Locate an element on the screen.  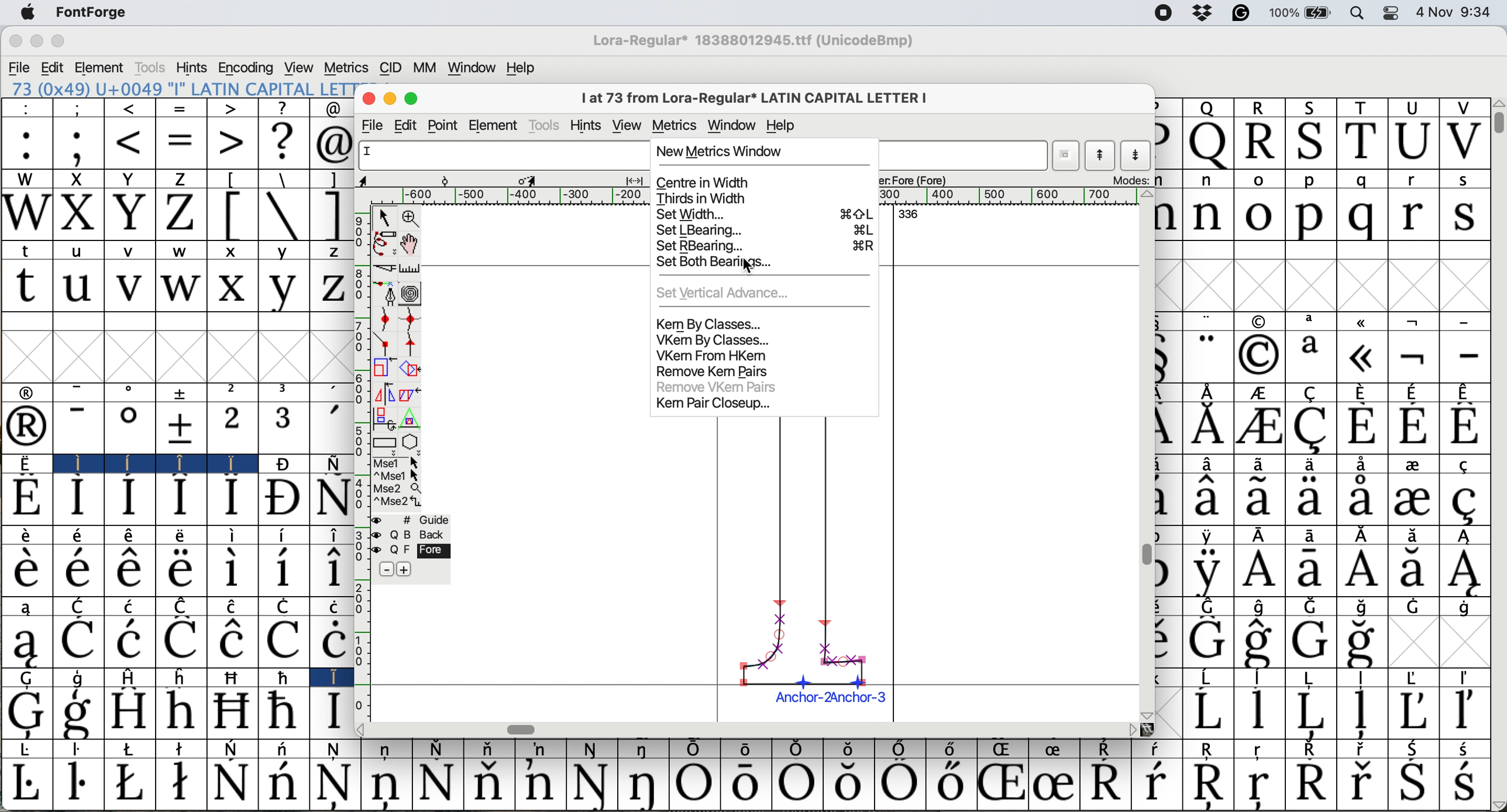
Symbol is located at coordinates (1414, 465).